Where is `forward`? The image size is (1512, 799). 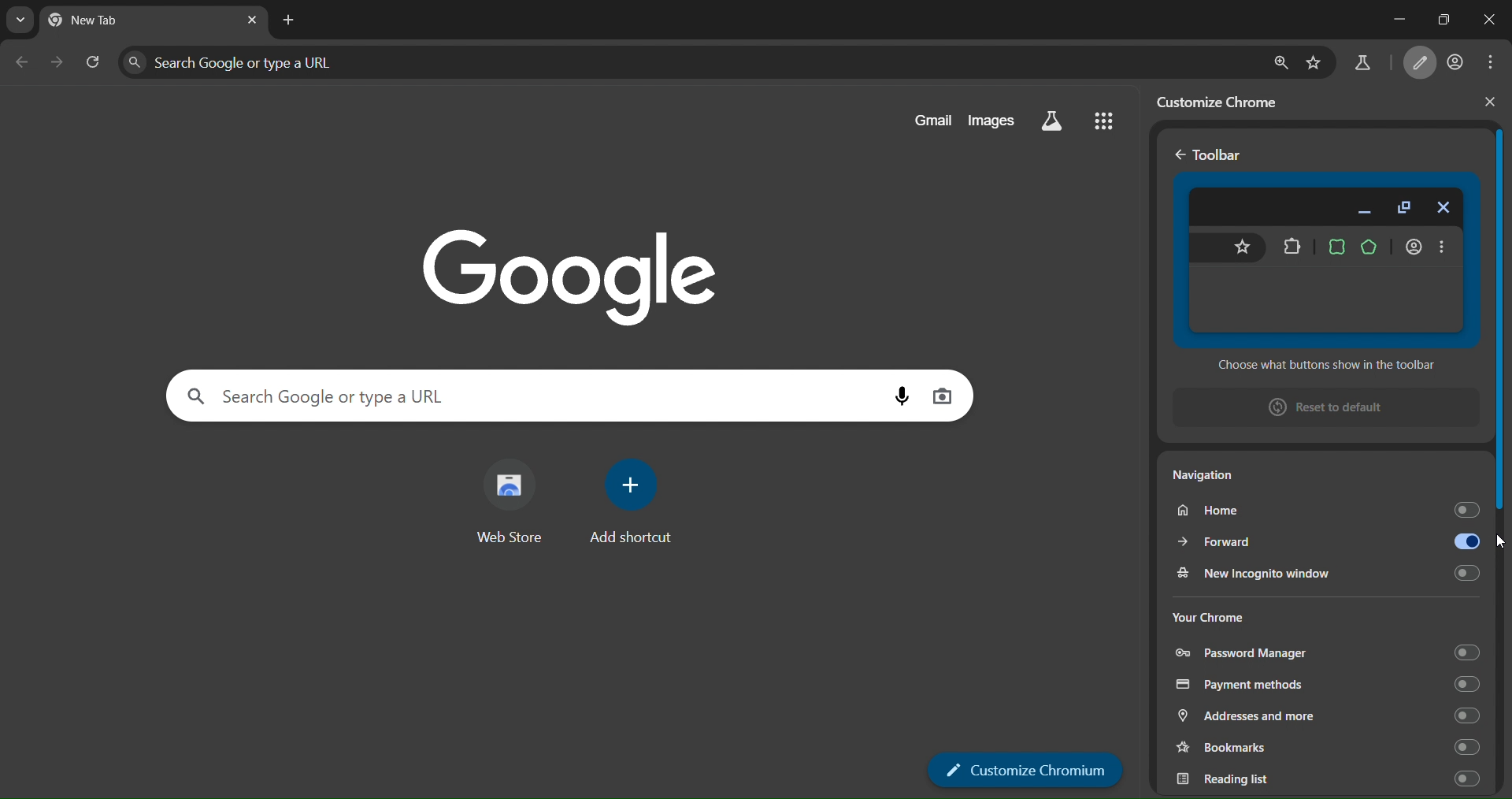 forward is located at coordinates (1326, 539).